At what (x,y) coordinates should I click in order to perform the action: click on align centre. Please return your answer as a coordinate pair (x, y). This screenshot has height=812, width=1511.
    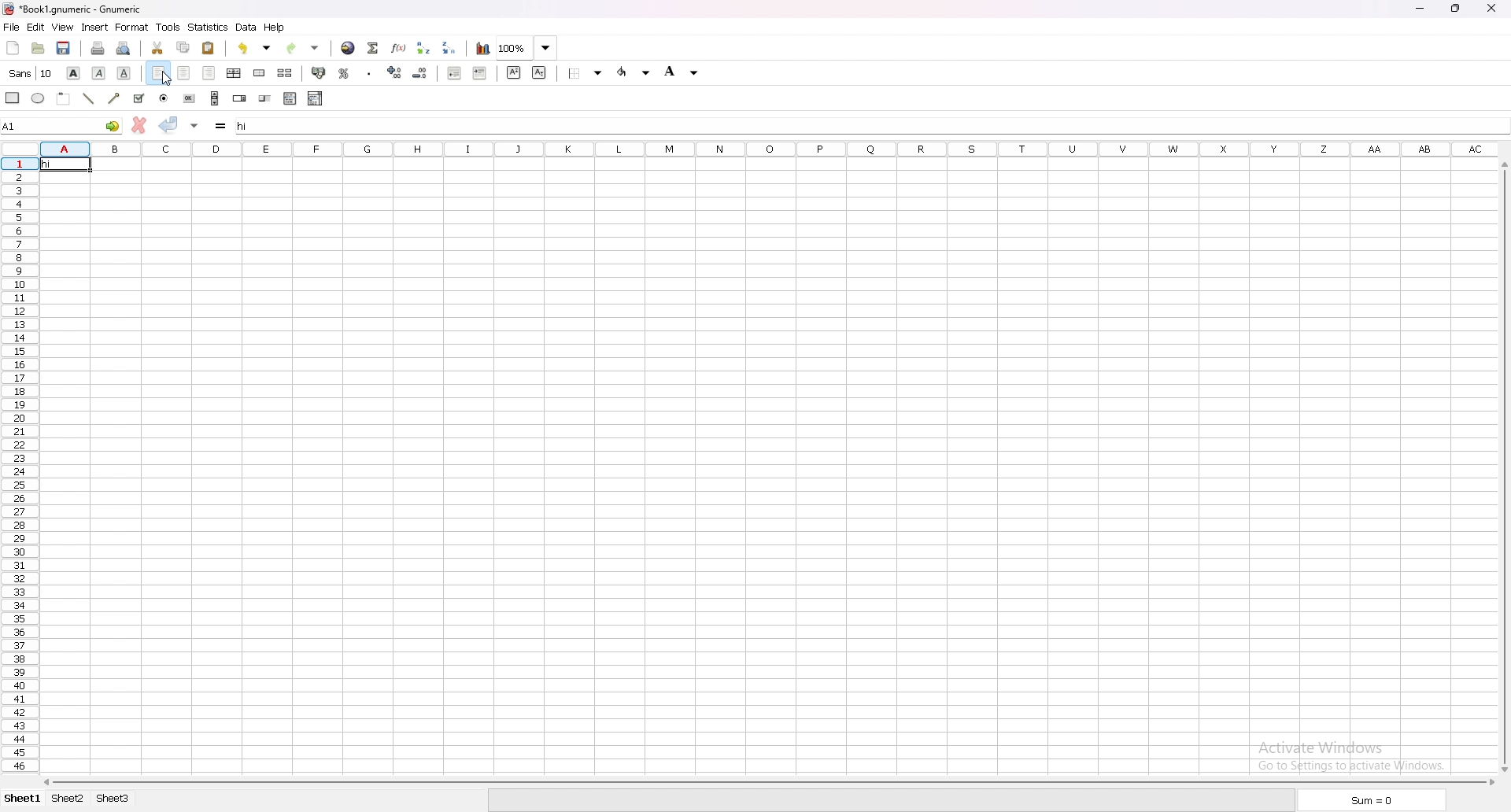
    Looking at the image, I should click on (184, 74).